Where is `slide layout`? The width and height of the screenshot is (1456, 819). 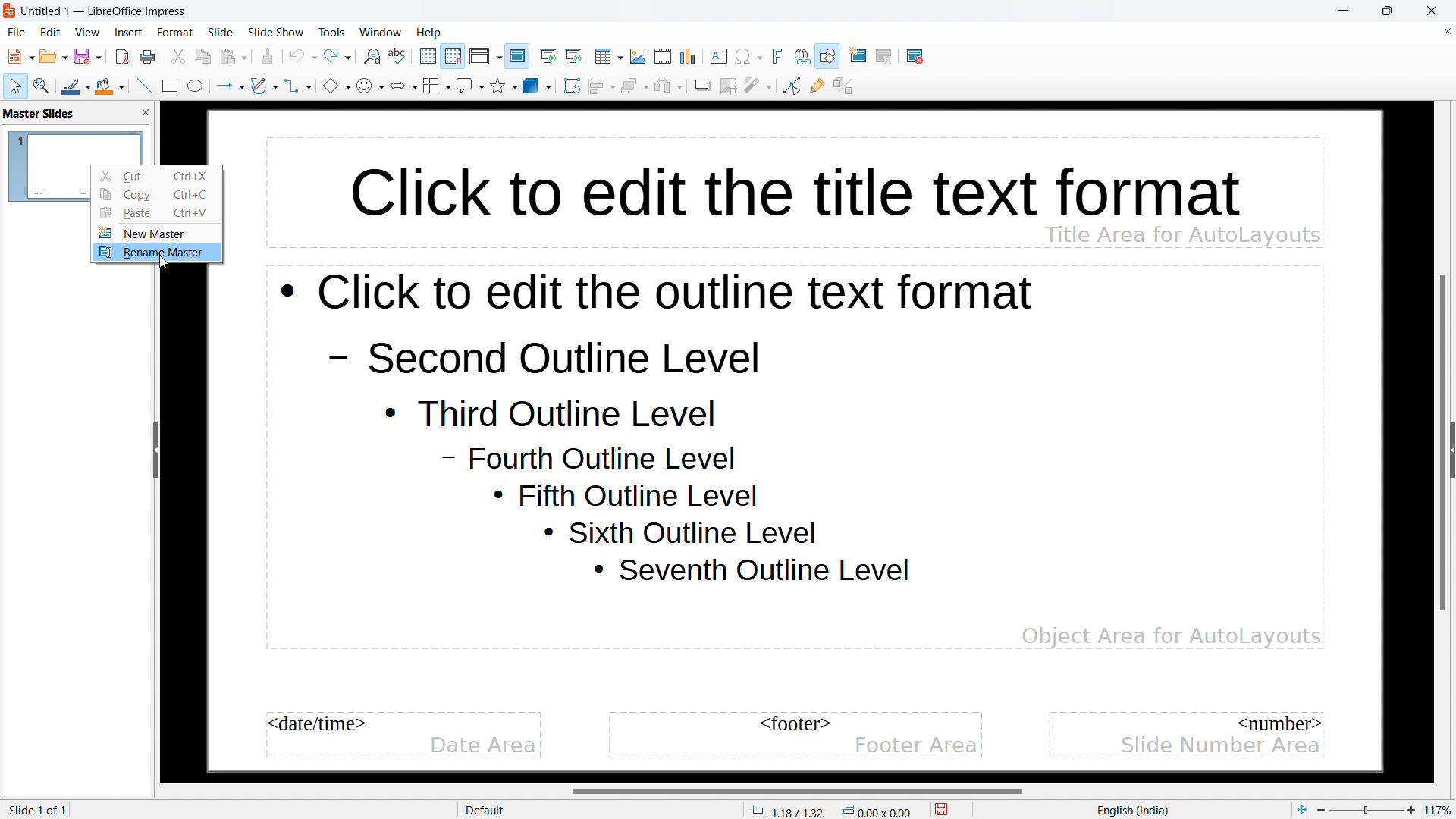
slide layout is located at coordinates (952, 57).